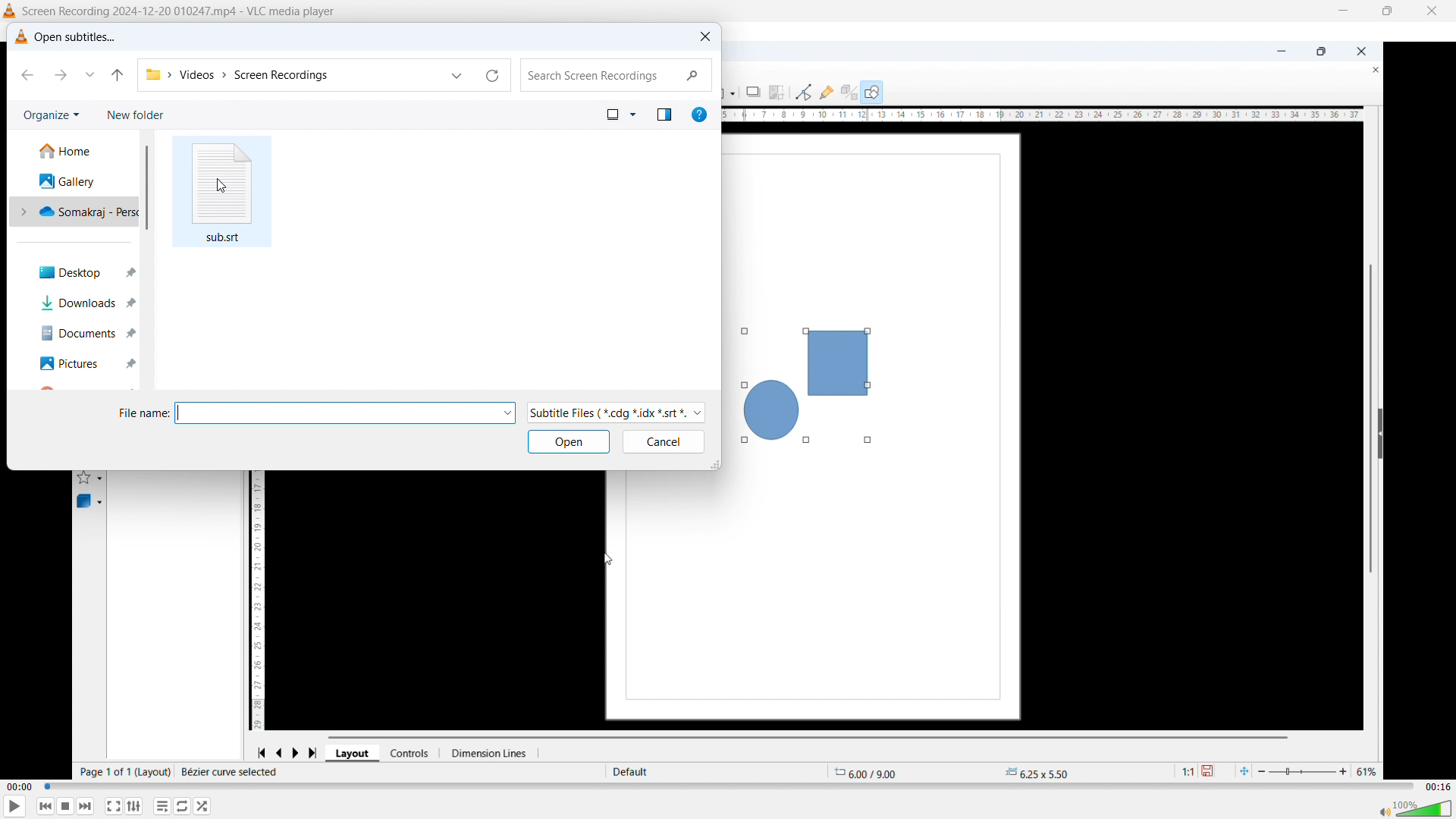 The image size is (1456, 819). What do you see at coordinates (345, 413) in the screenshot?
I see `File name ` at bounding box center [345, 413].